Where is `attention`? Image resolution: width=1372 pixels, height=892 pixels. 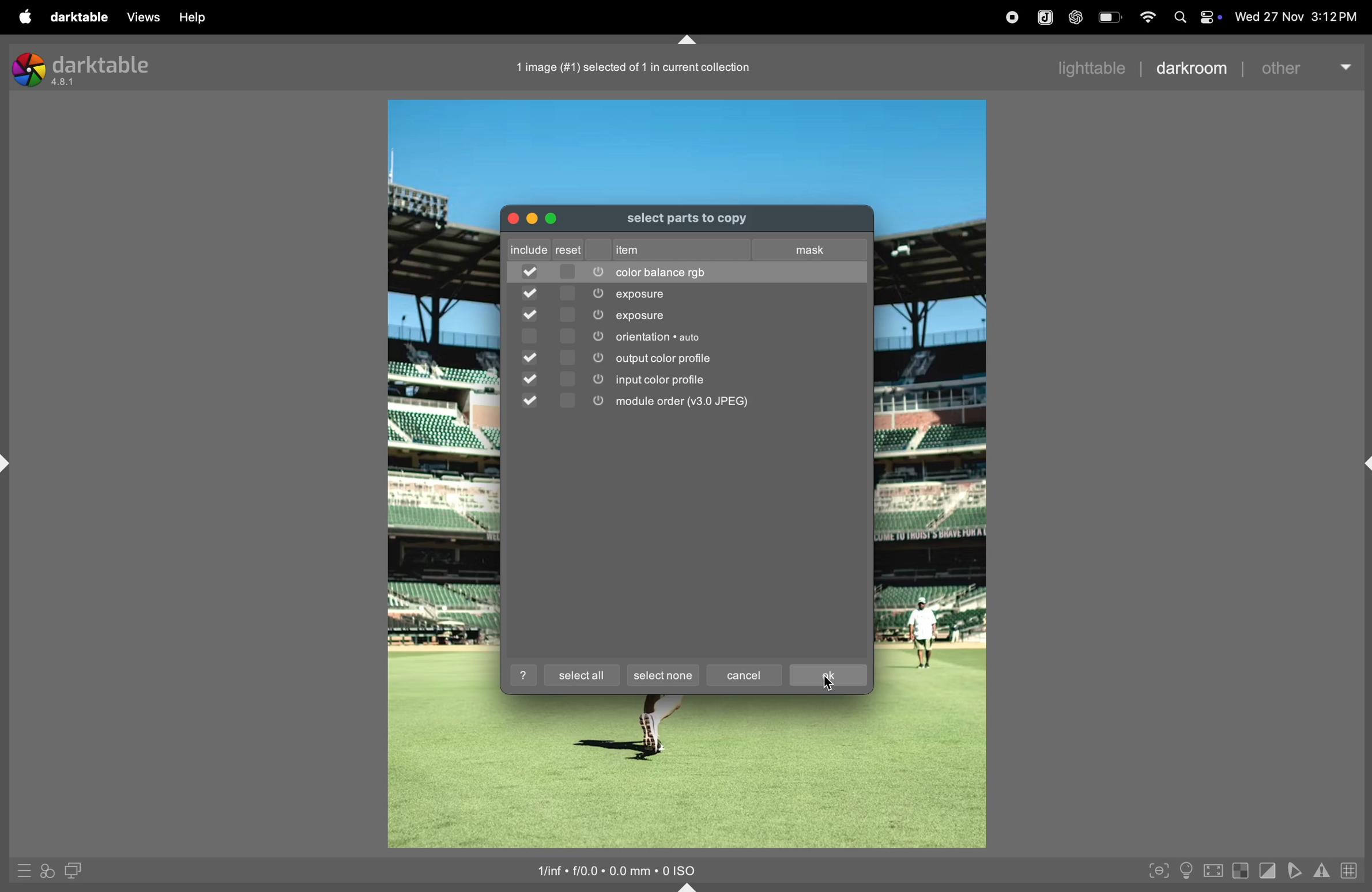 attention is located at coordinates (1322, 870).